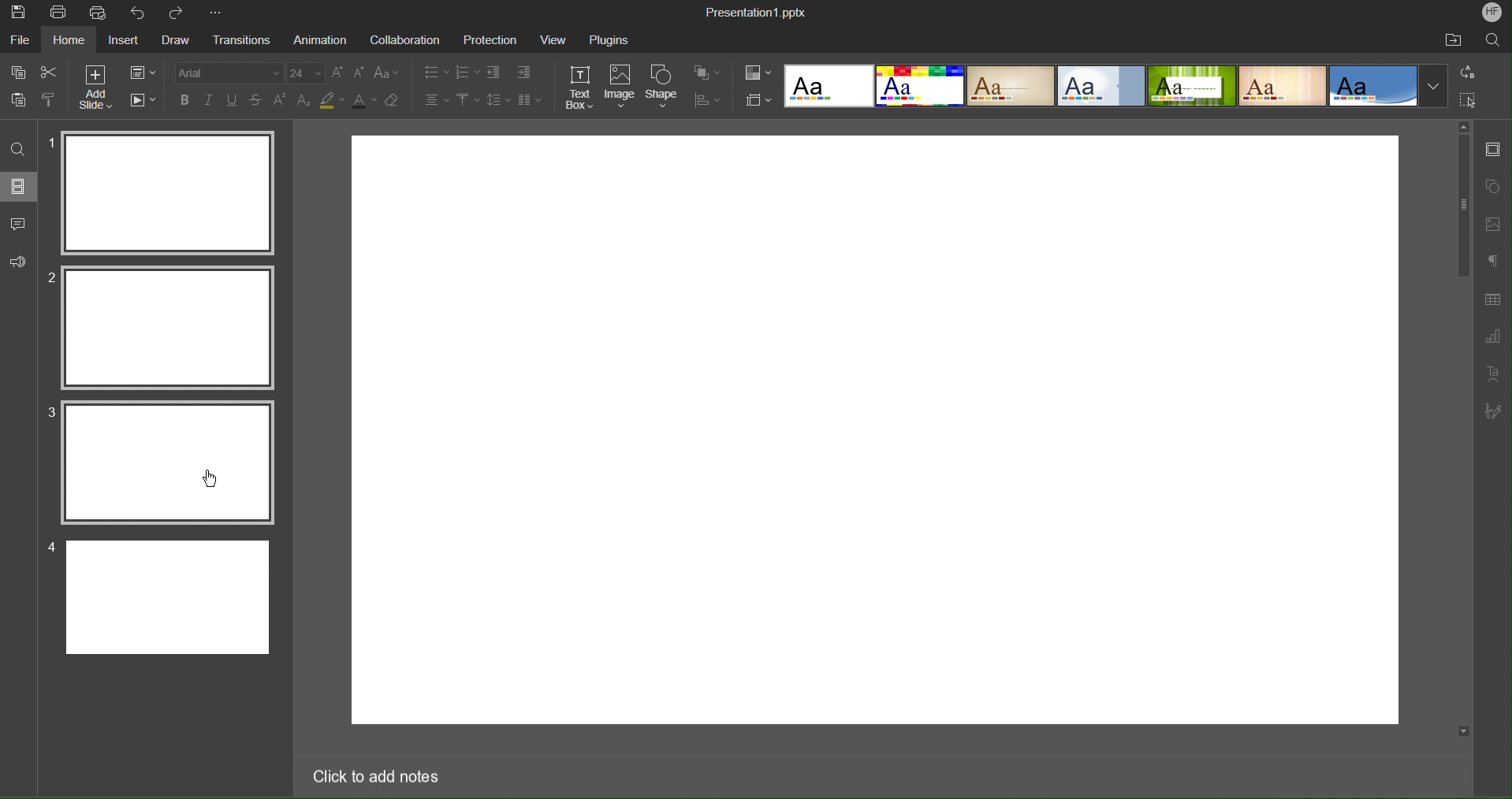  What do you see at coordinates (620, 88) in the screenshot?
I see `Image` at bounding box center [620, 88].